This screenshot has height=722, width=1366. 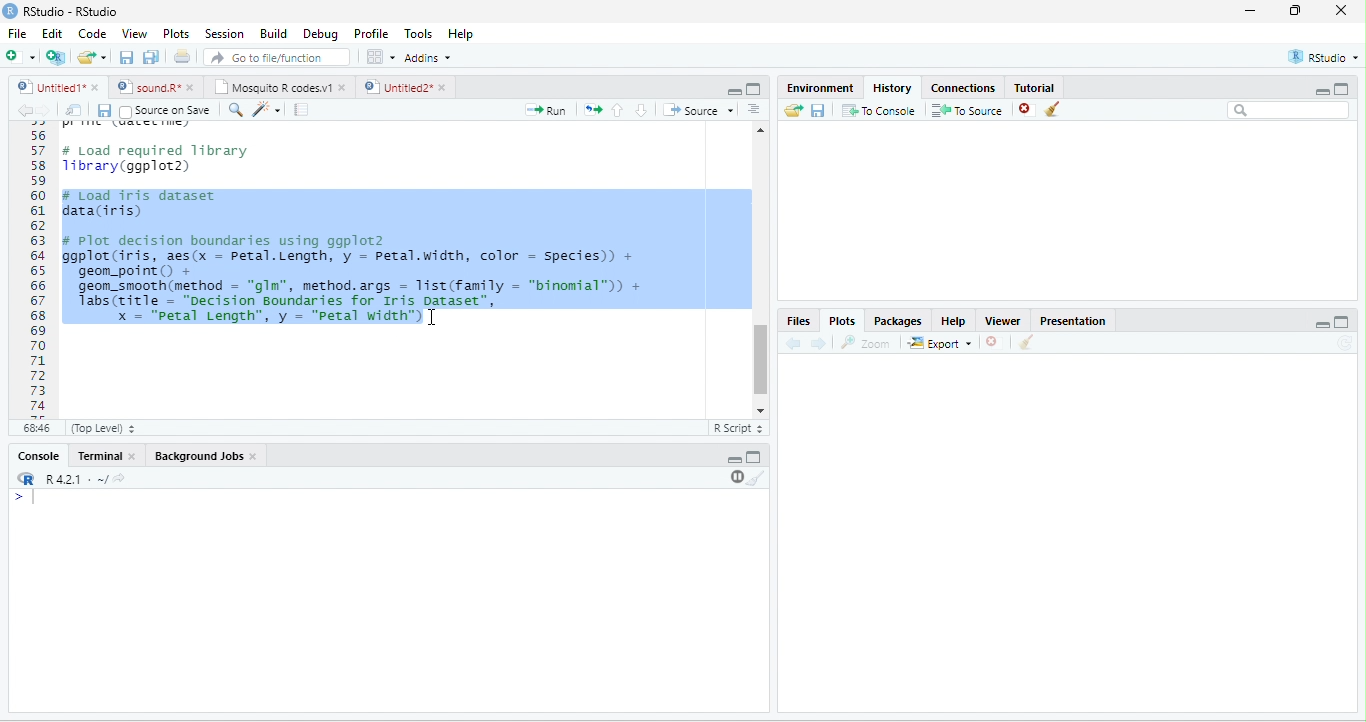 What do you see at coordinates (9, 11) in the screenshot?
I see `logo` at bounding box center [9, 11].